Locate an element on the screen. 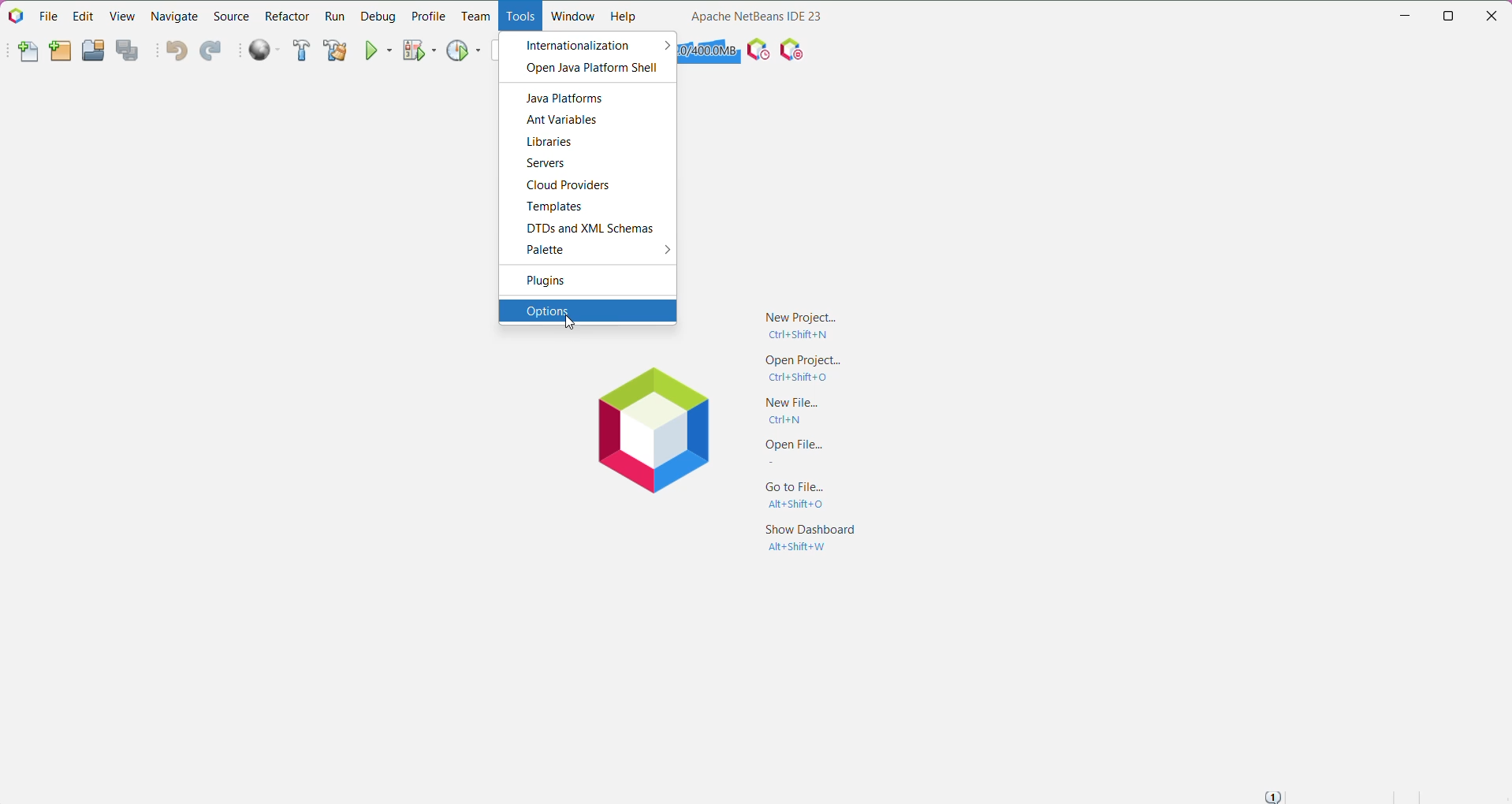 This screenshot has height=804, width=1512. Source is located at coordinates (231, 17).